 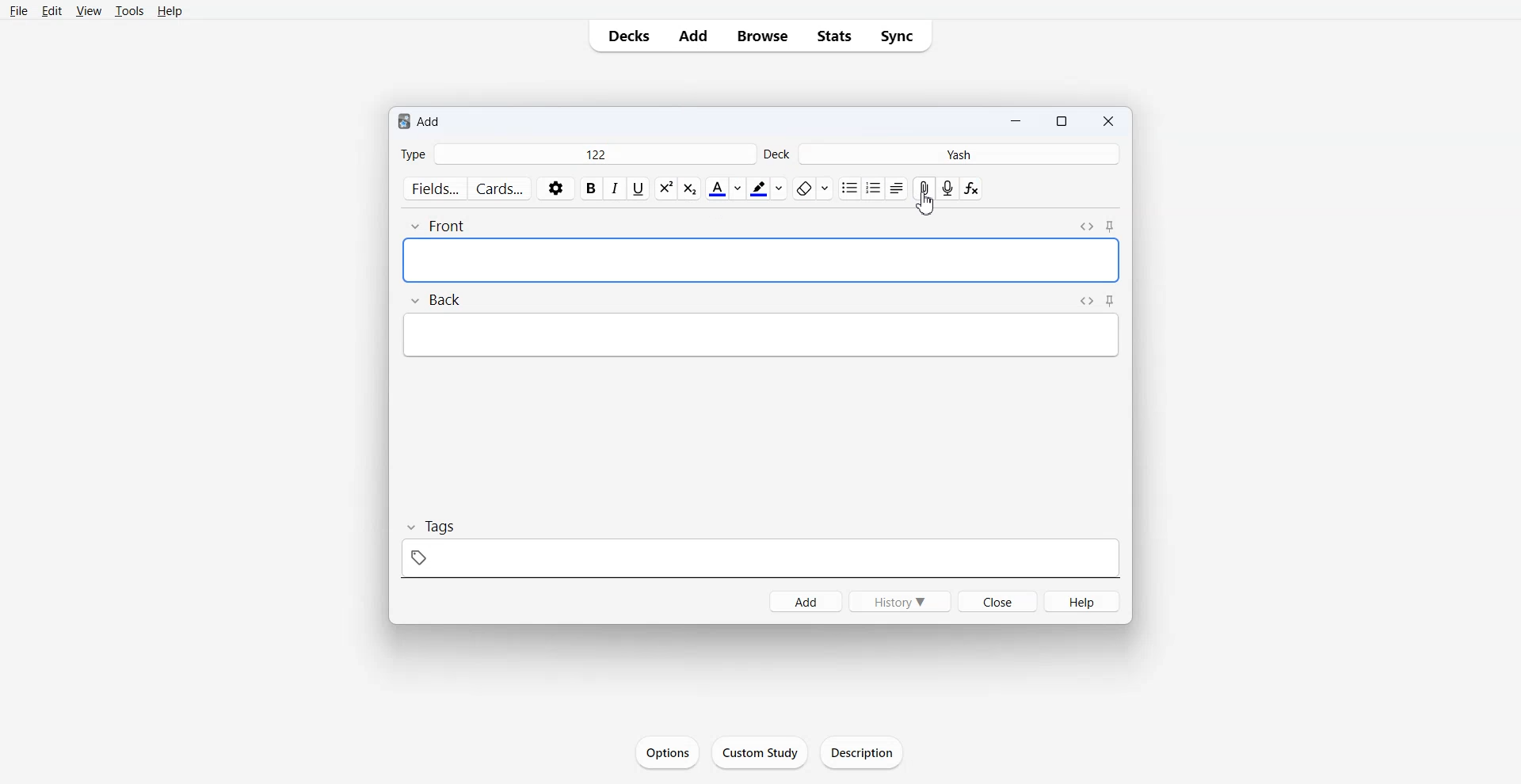 What do you see at coordinates (759, 560) in the screenshot?
I see `tags space` at bounding box center [759, 560].